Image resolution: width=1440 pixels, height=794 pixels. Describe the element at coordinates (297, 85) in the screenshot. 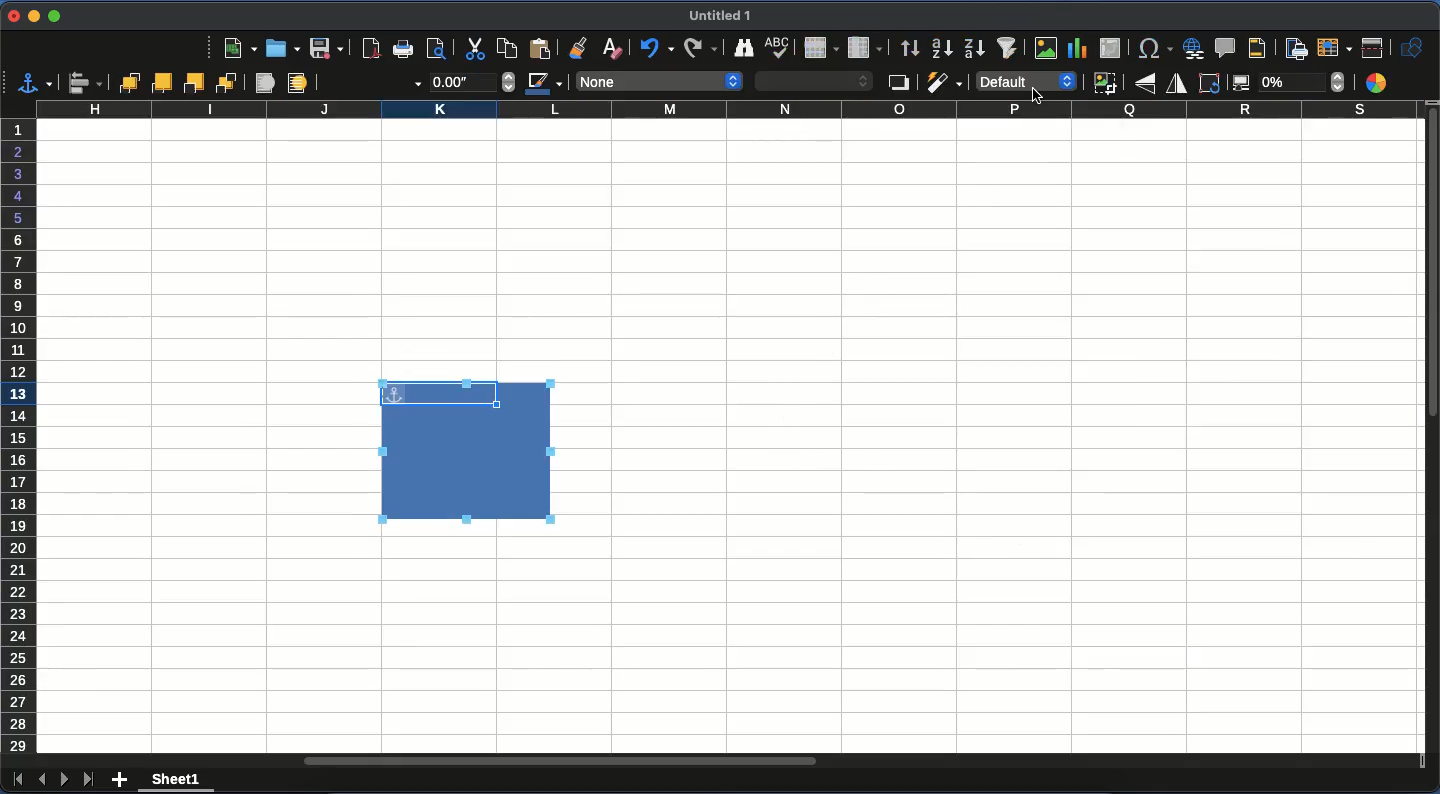

I see `background` at that location.